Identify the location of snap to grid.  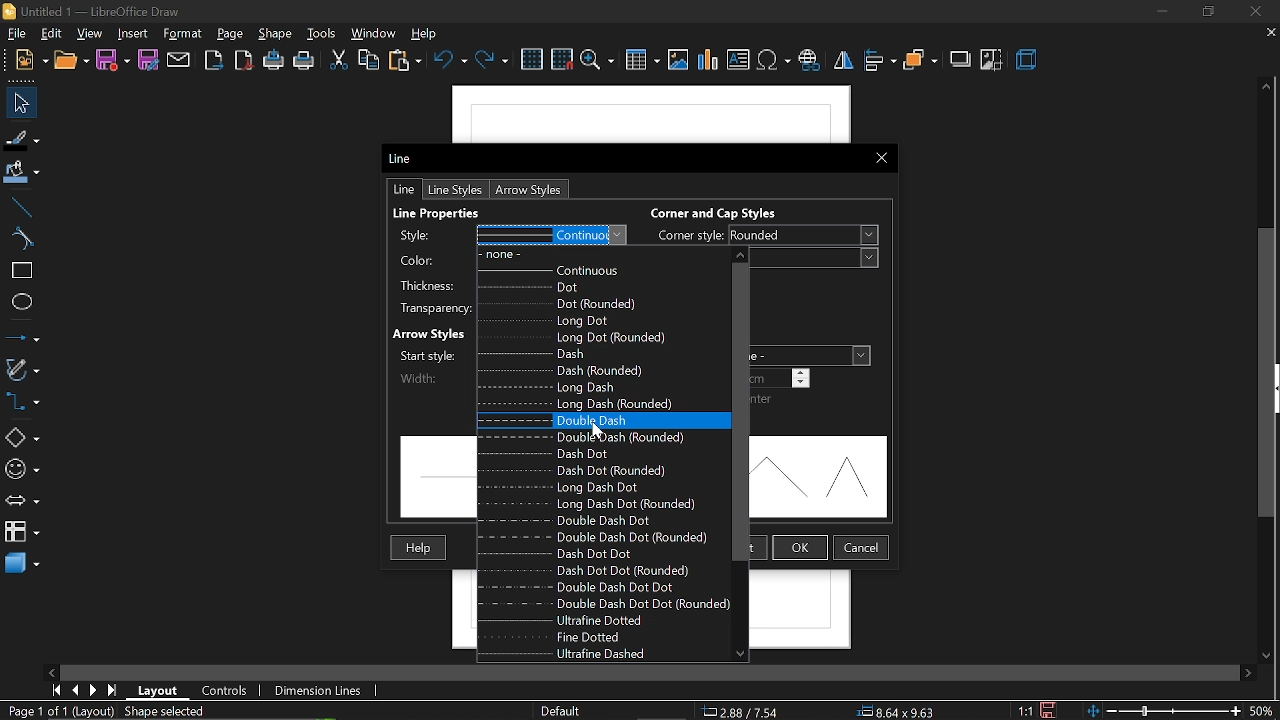
(562, 59).